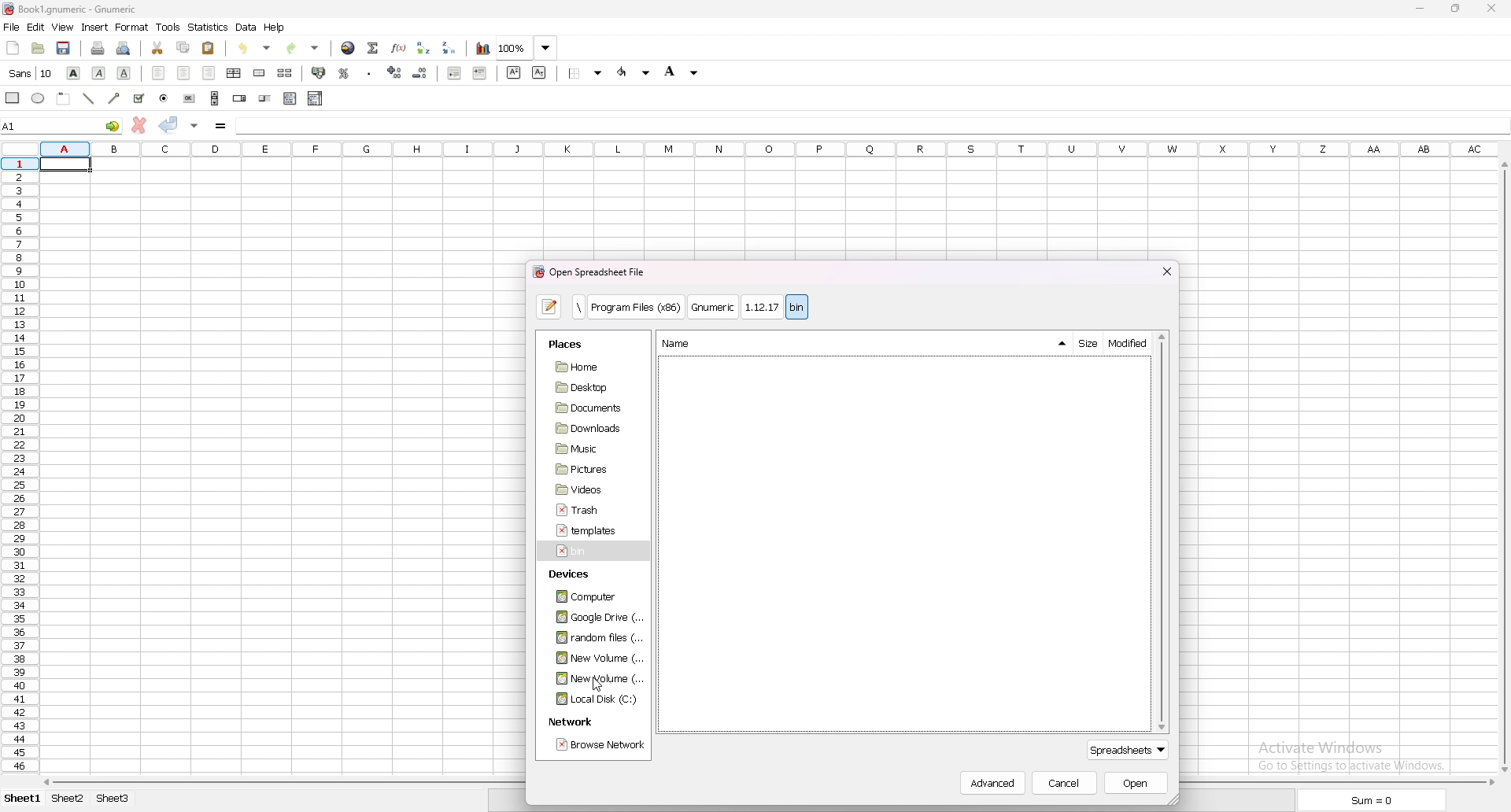 Image resolution: width=1511 pixels, height=812 pixels. I want to click on pictures, so click(588, 469).